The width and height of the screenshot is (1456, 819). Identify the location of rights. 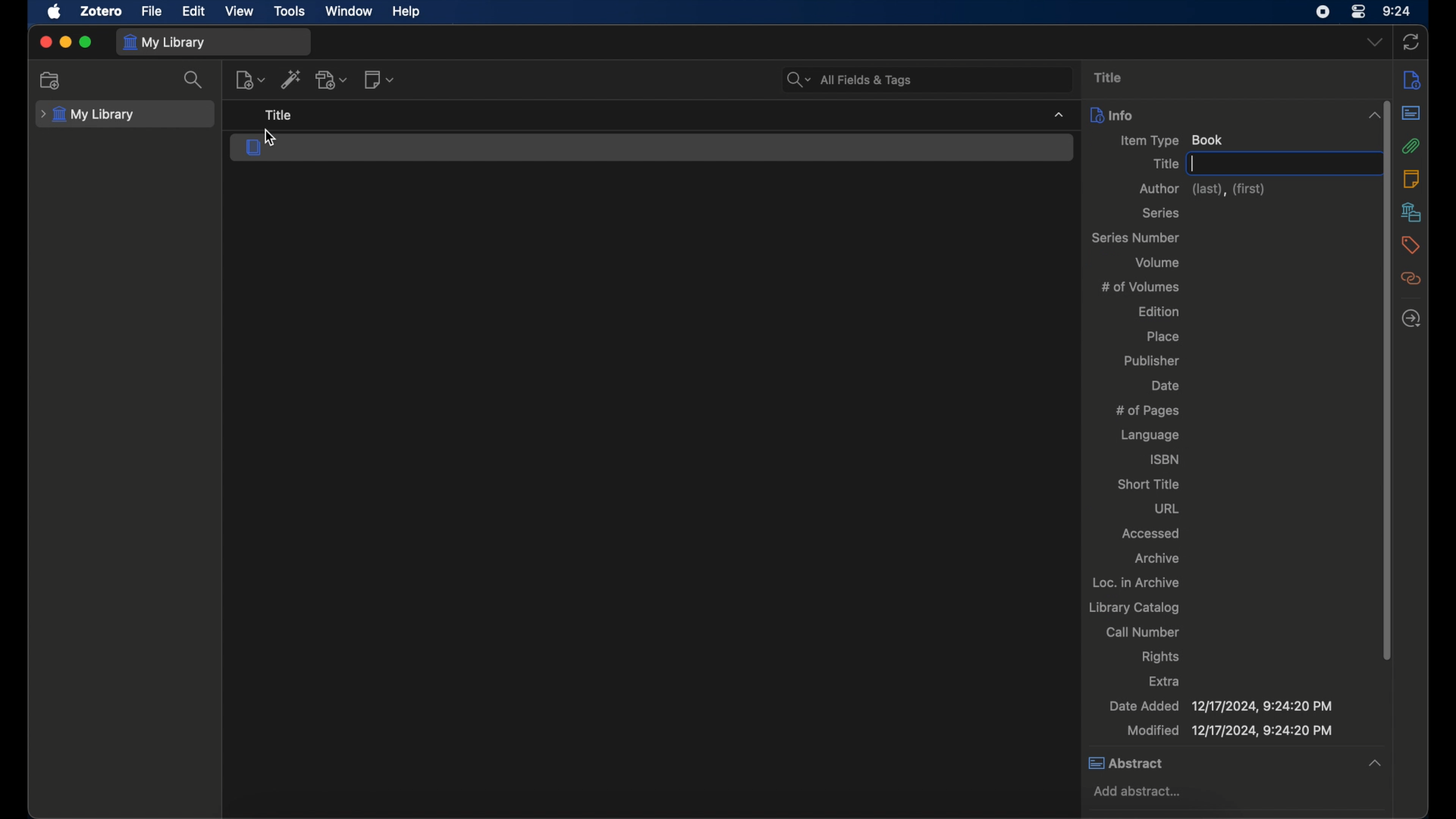
(1160, 656).